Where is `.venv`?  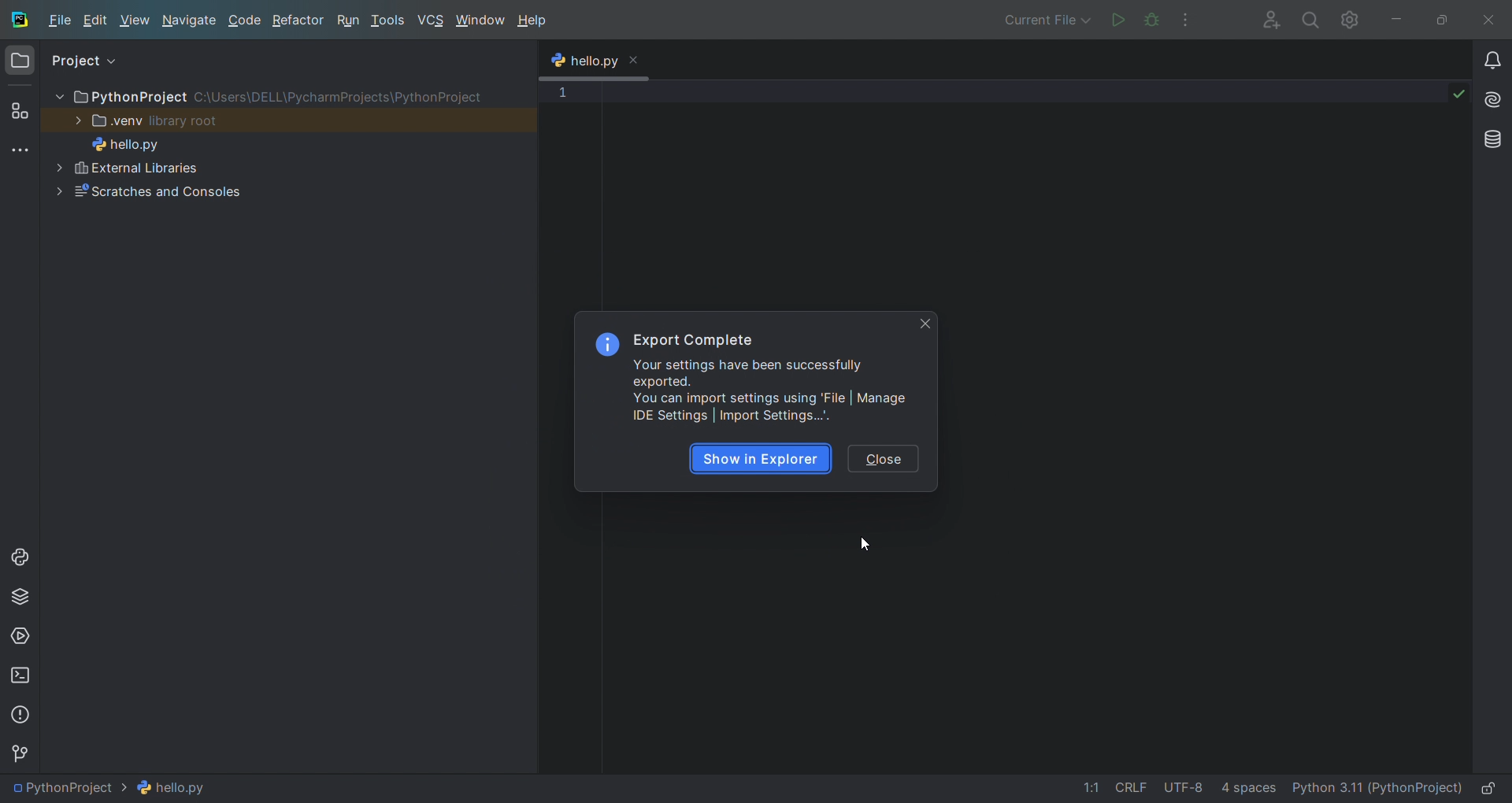 .venv is located at coordinates (150, 120).